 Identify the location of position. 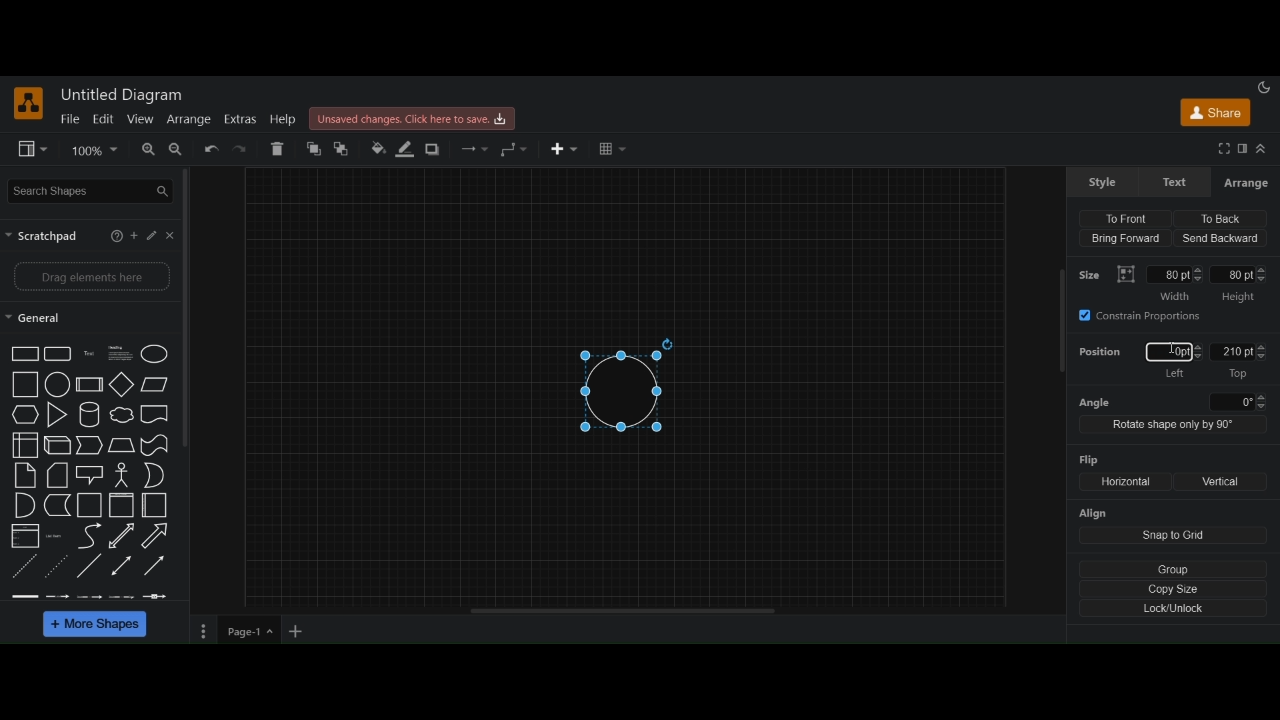
(1102, 355).